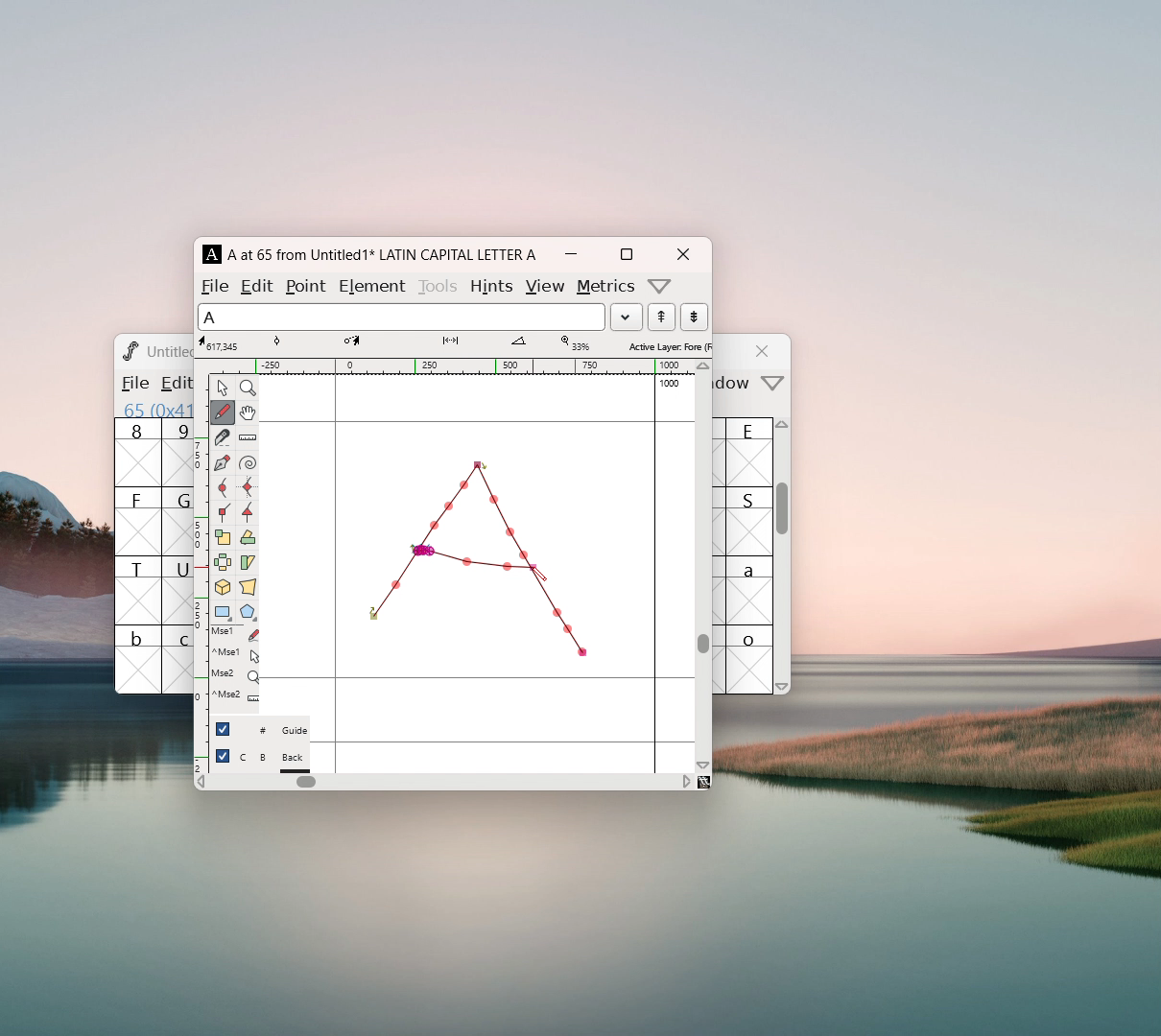 The image size is (1161, 1036). Describe the element at coordinates (306, 782) in the screenshot. I see `horizontal scrollbar` at that location.